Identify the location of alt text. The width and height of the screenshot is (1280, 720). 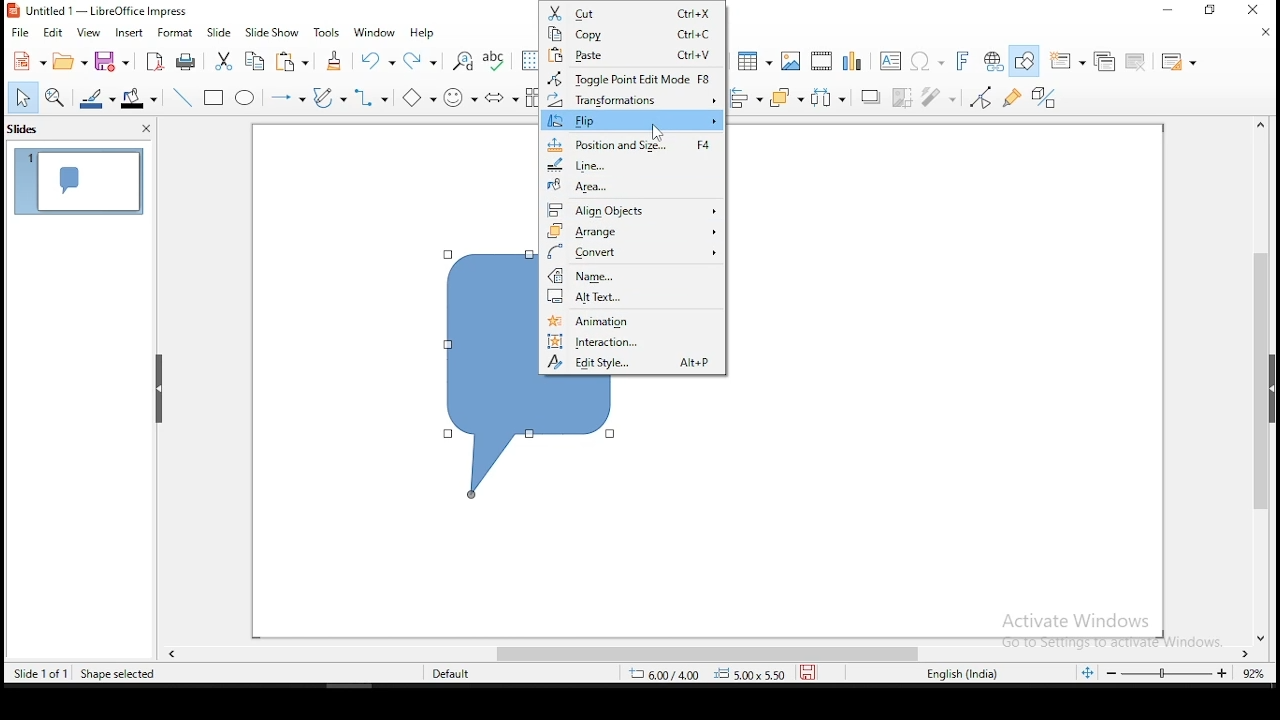
(634, 297).